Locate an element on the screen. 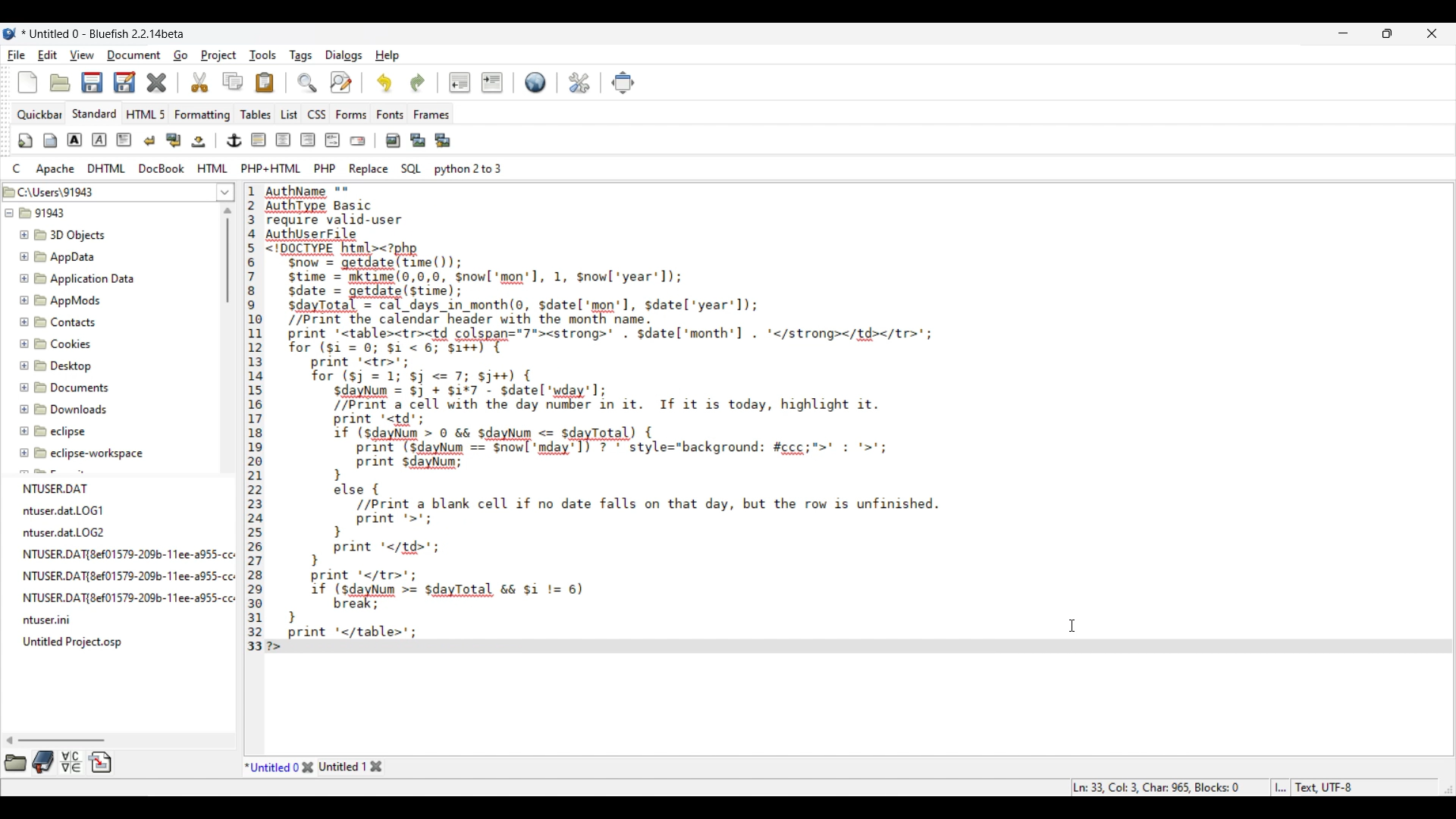 This screenshot has height=819, width=1456. File explorer is located at coordinates (108, 413).